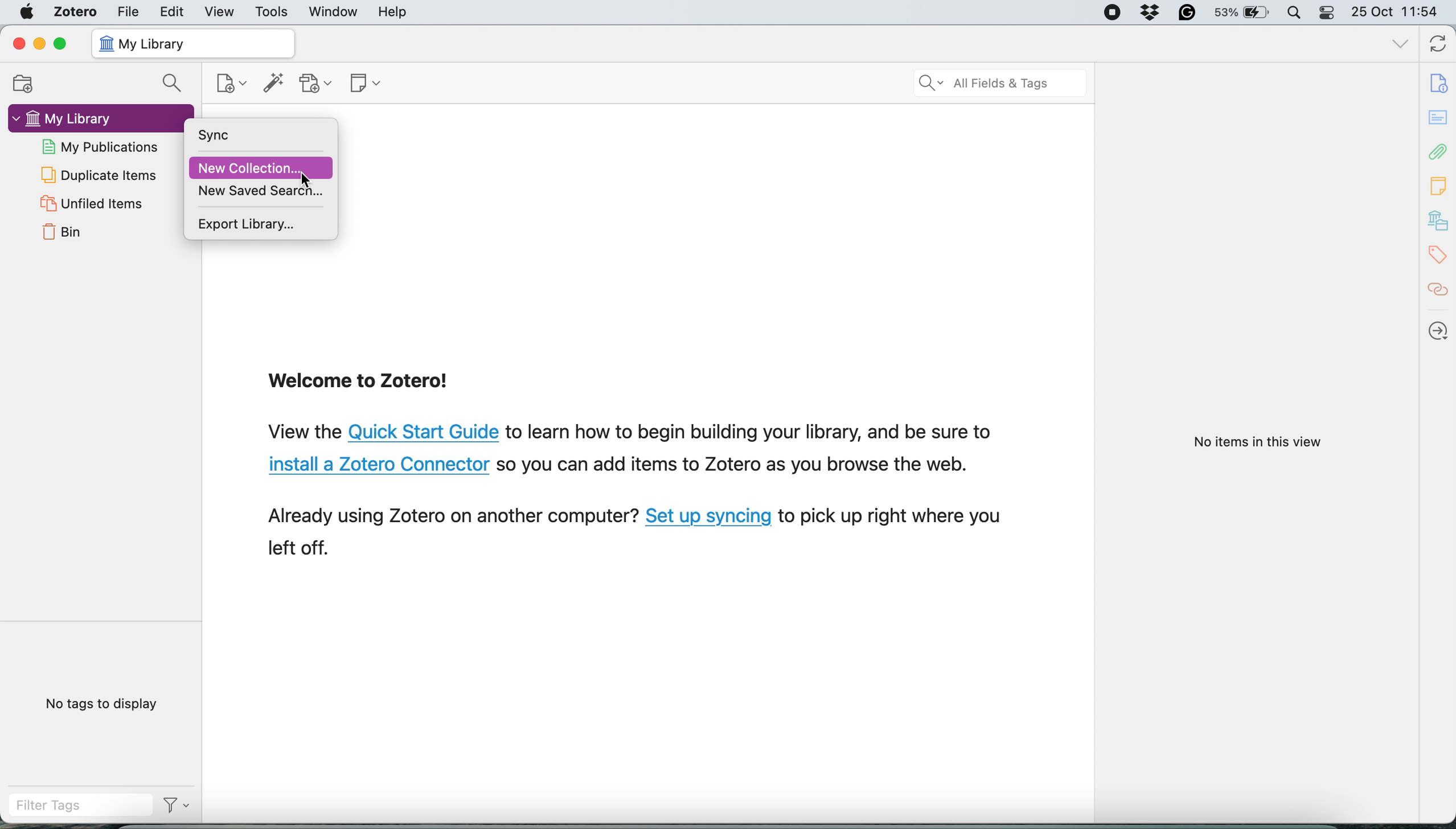 The image size is (1456, 829). Describe the element at coordinates (304, 176) in the screenshot. I see `Cursor Position` at that location.